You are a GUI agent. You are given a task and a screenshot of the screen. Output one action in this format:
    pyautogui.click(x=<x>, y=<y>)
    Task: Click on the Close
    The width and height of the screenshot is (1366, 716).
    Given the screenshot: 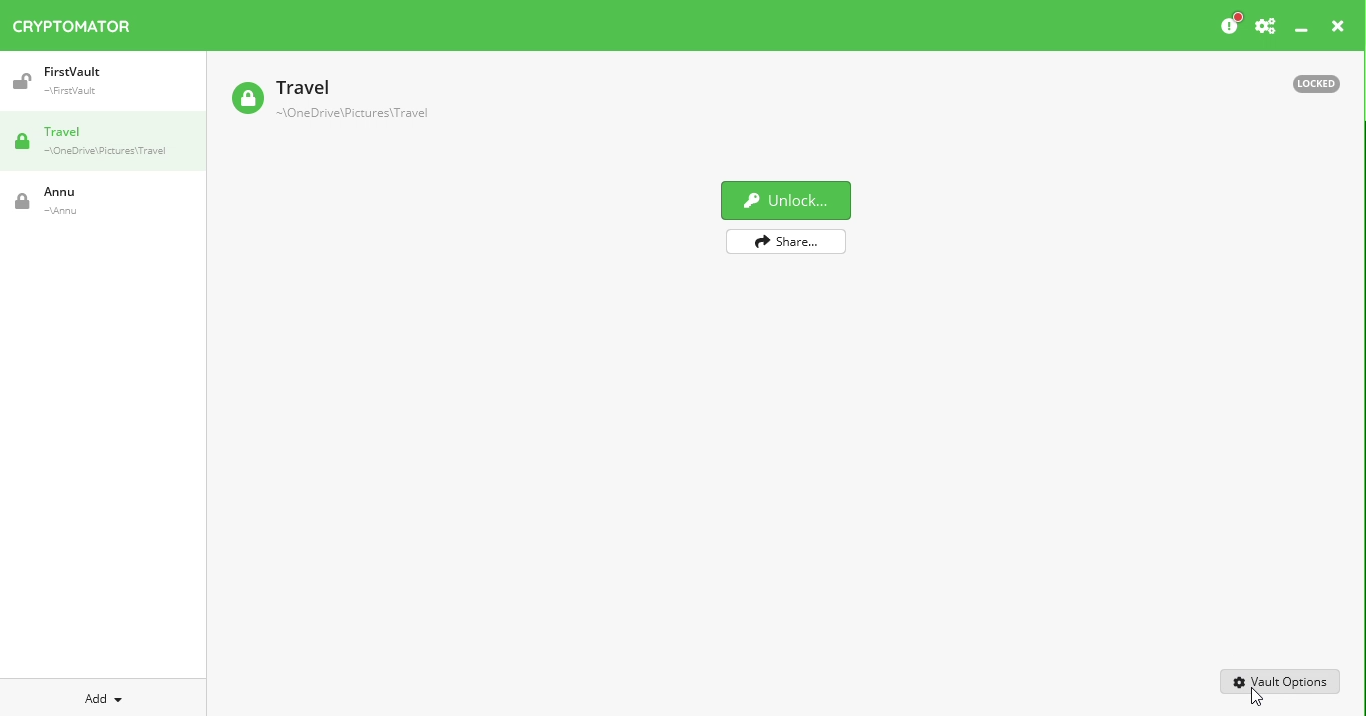 What is the action you would take?
    pyautogui.click(x=1338, y=29)
    